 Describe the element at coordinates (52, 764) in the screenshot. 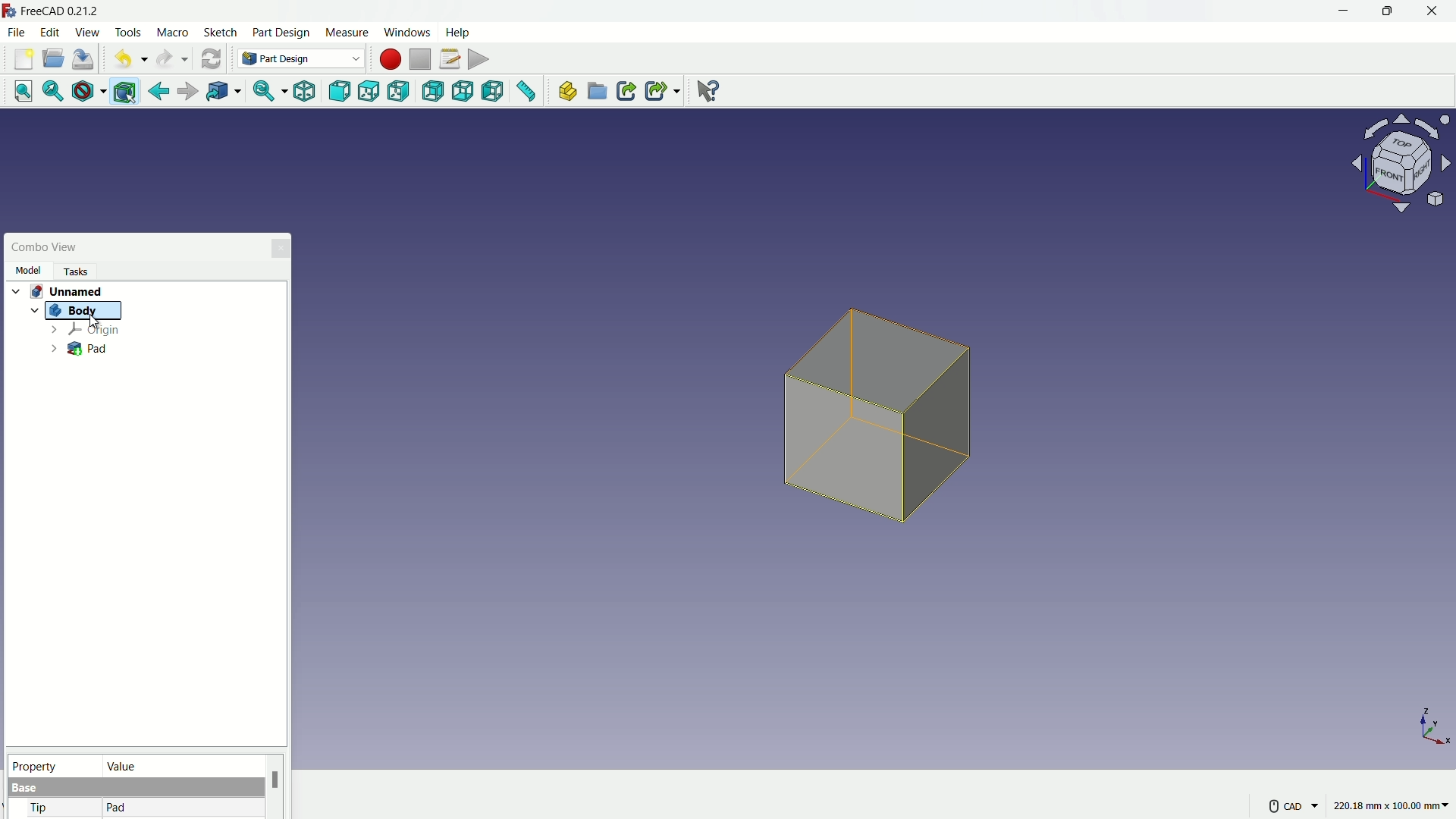

I see `property` at that location.